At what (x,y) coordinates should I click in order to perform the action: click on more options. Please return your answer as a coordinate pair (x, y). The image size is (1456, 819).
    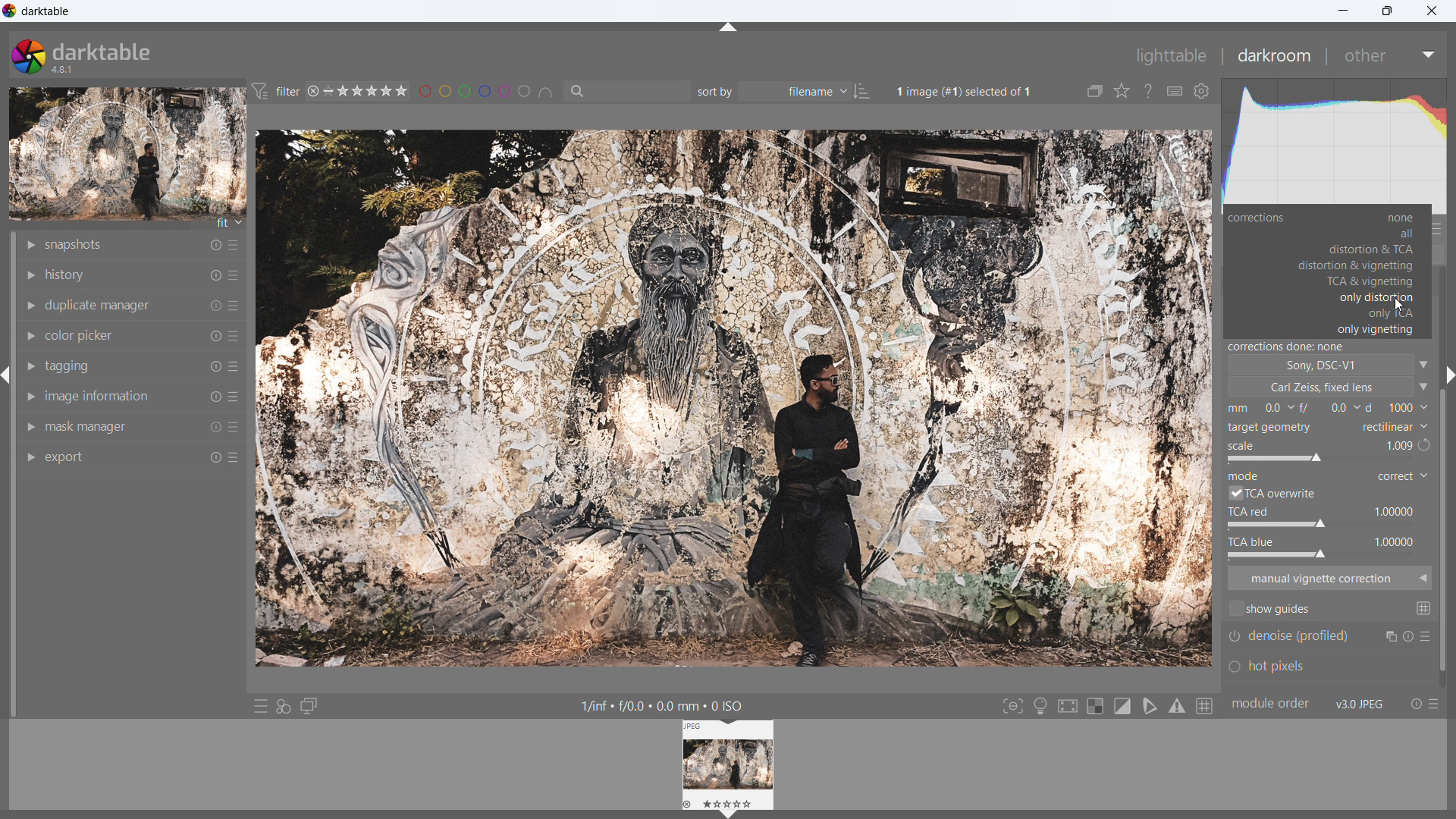
    Looking at the image, I should click on (236, 306).